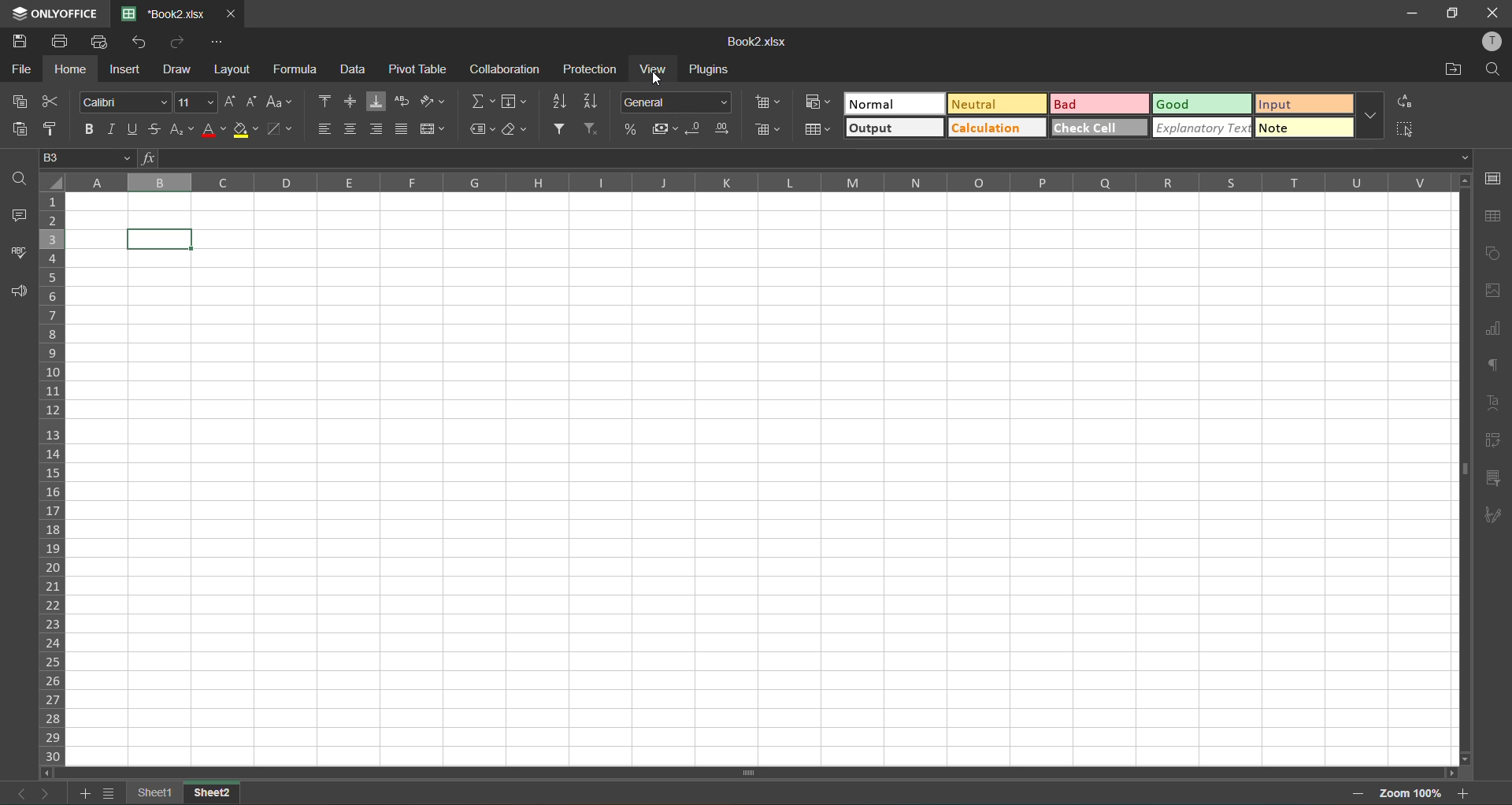 This screenshot has width=1512, height=805. I want to click on feedback, so click(15, 293).